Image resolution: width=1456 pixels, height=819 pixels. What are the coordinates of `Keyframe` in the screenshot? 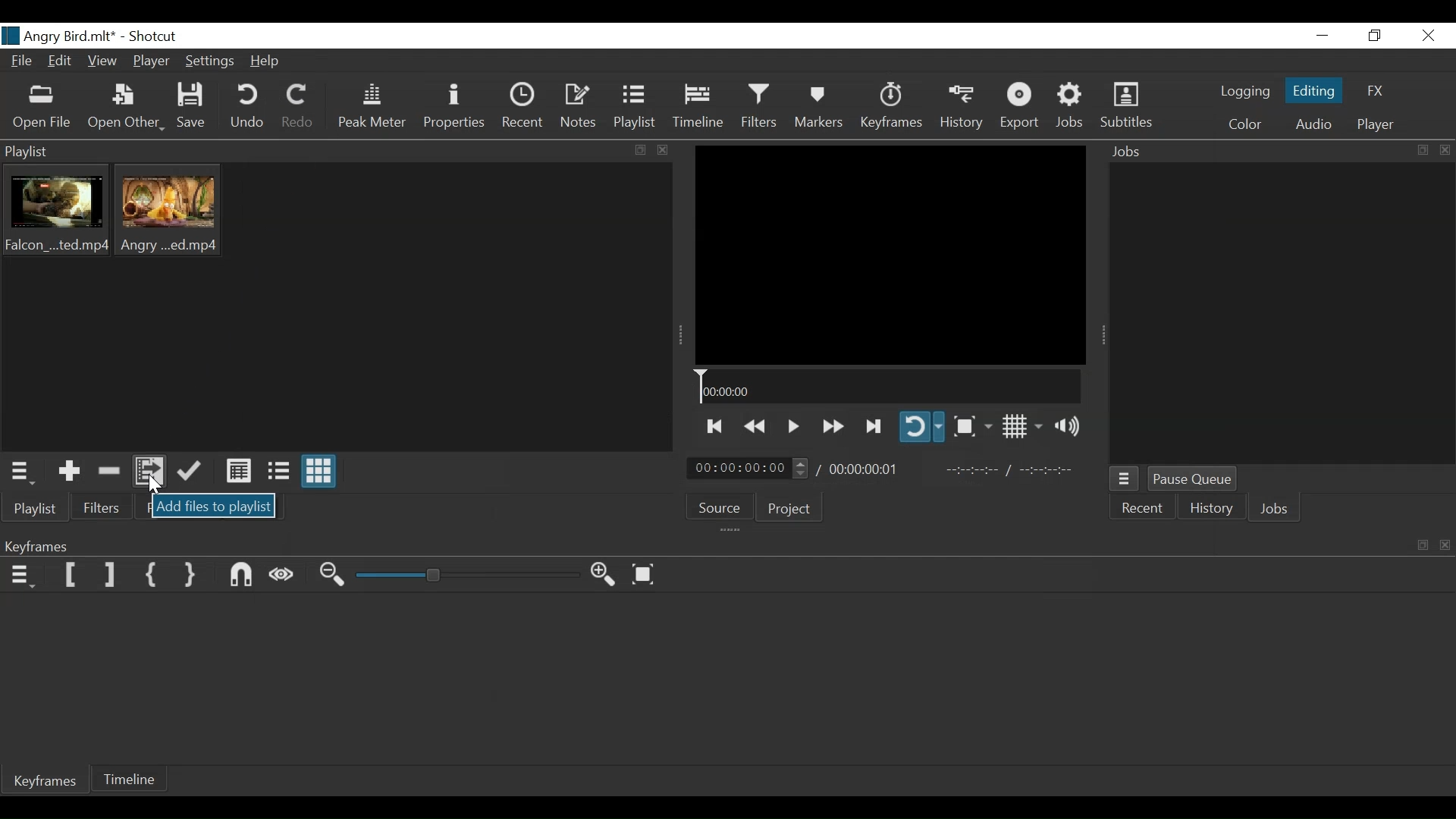 It's located at (42, 782).